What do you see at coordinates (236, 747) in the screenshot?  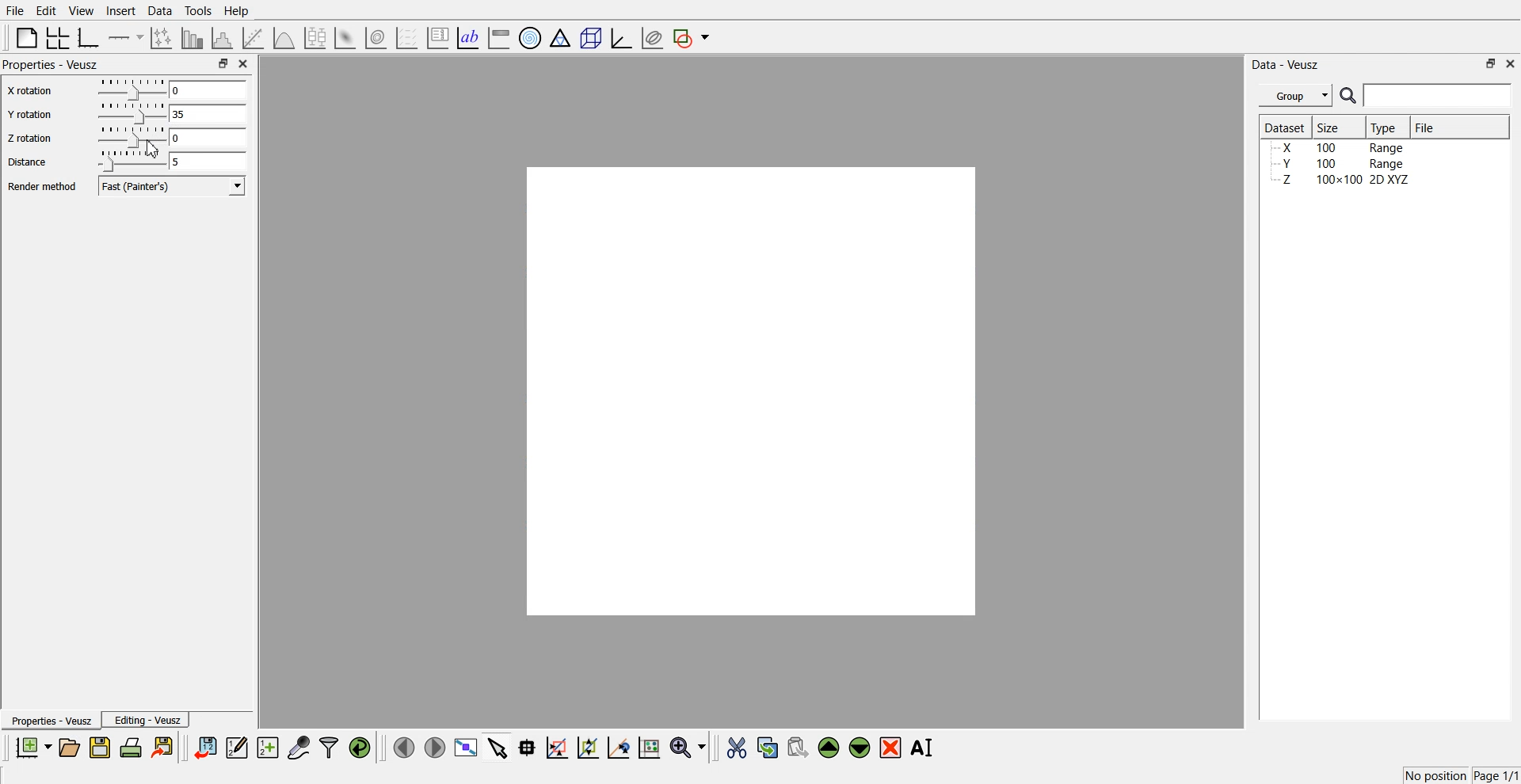 I see `Edit and enter new dataset` at bounding box center [236, 747].